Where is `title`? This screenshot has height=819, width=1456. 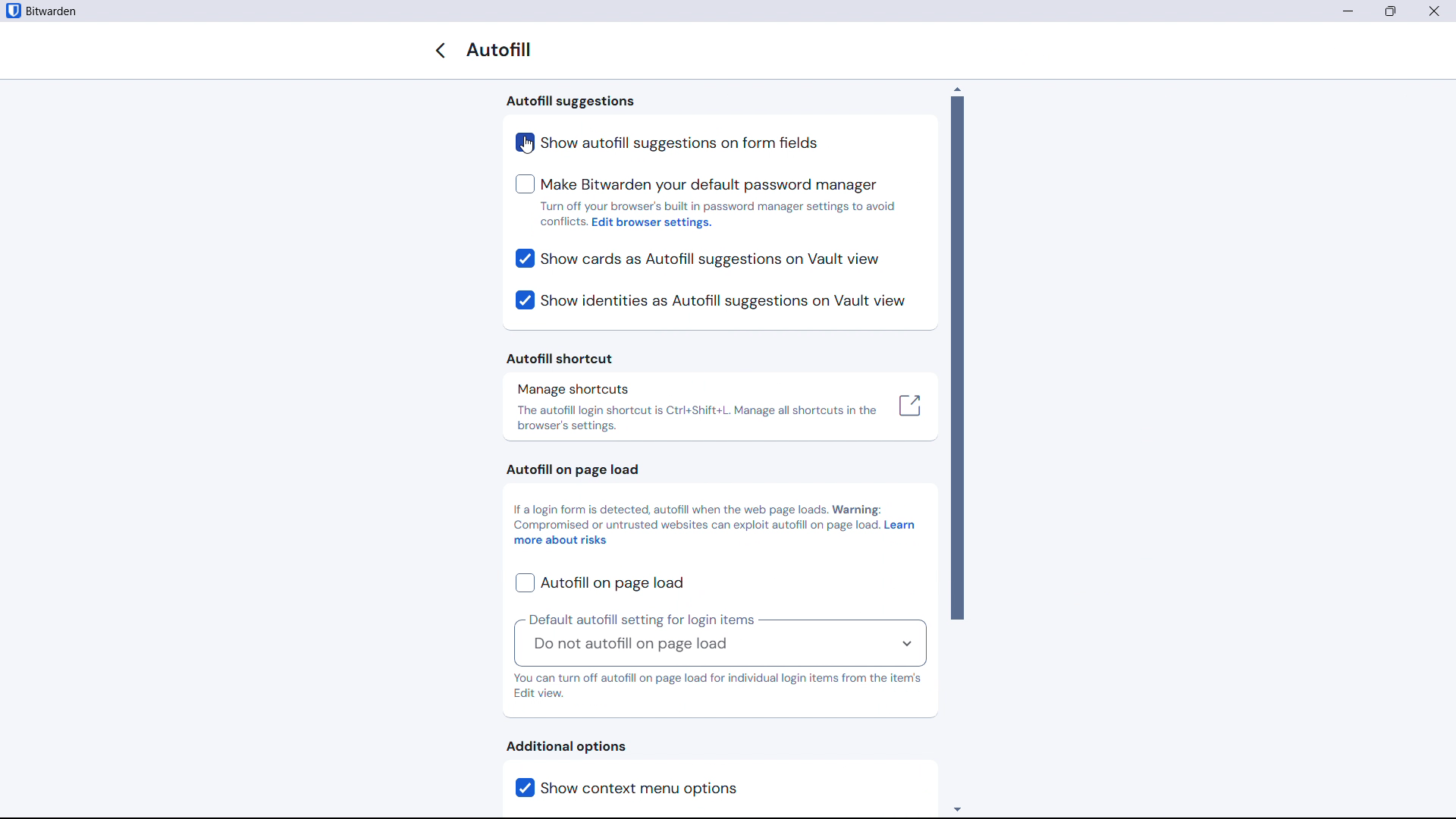 title is located at coordinates (52, 11).